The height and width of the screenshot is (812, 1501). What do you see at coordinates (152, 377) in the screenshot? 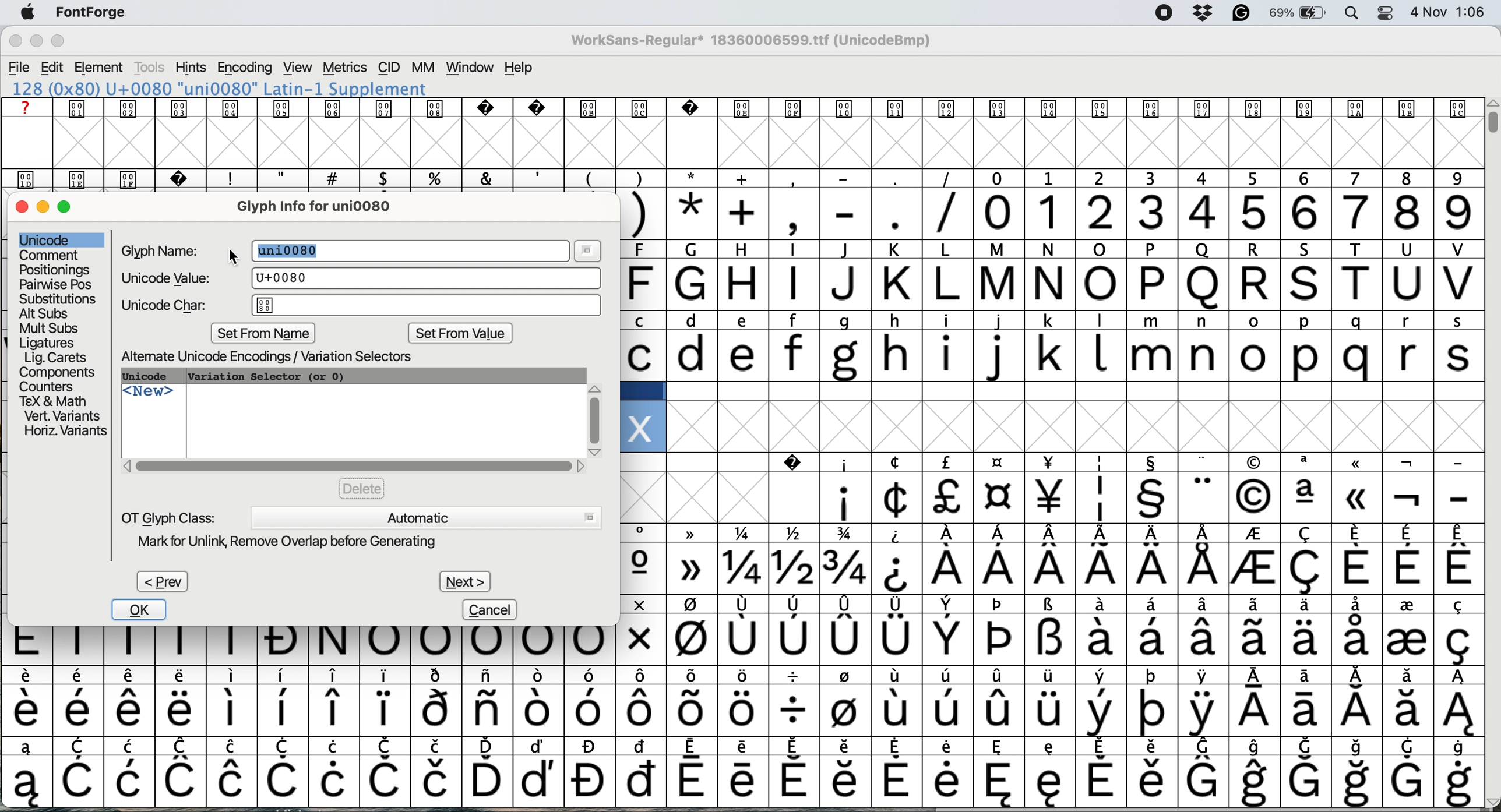
I see `unicode` at bounding box center [152, 377].